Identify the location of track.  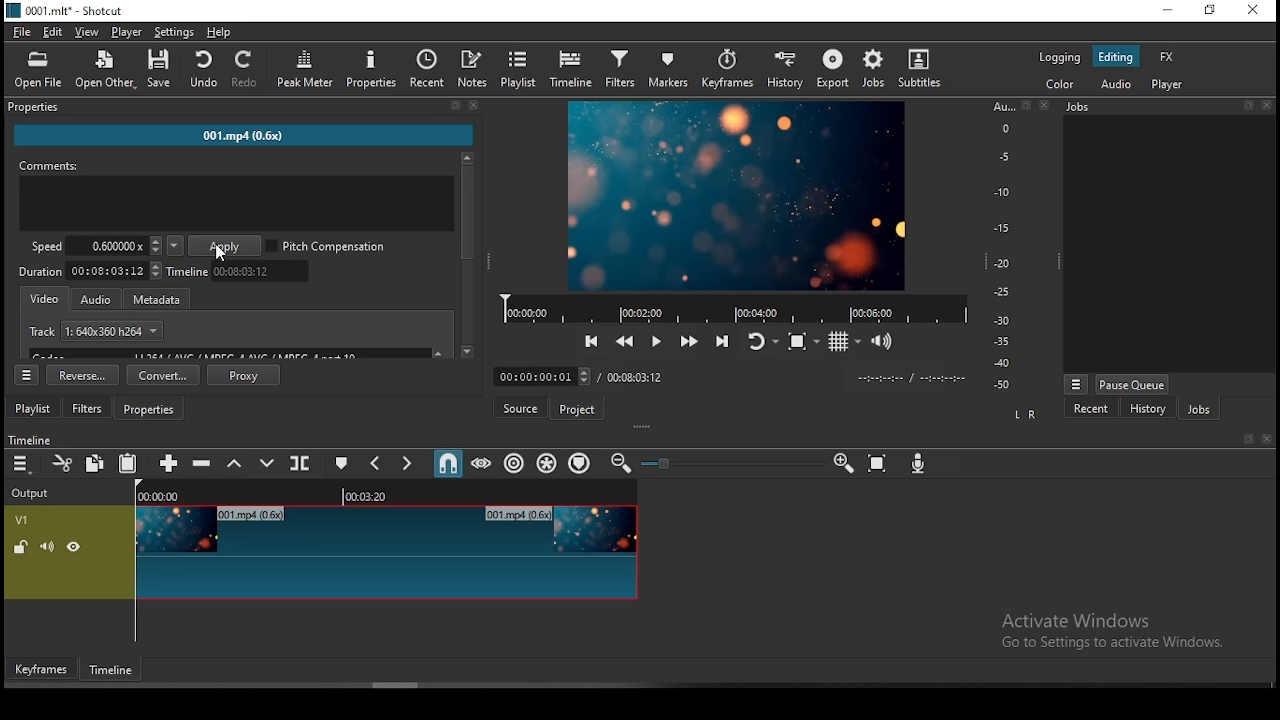
(94, 329).